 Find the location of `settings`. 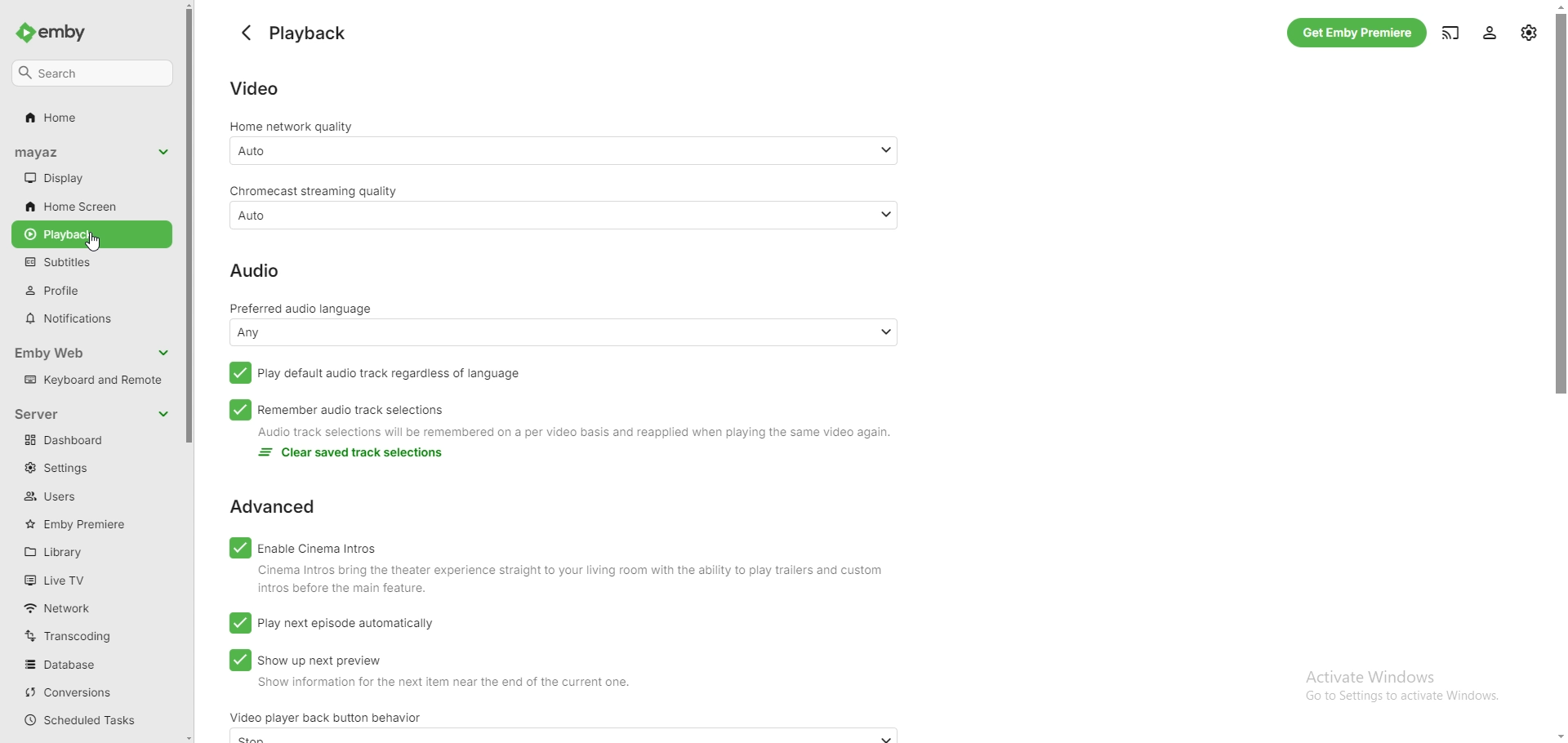

settings is located at coordinates (87, 469).